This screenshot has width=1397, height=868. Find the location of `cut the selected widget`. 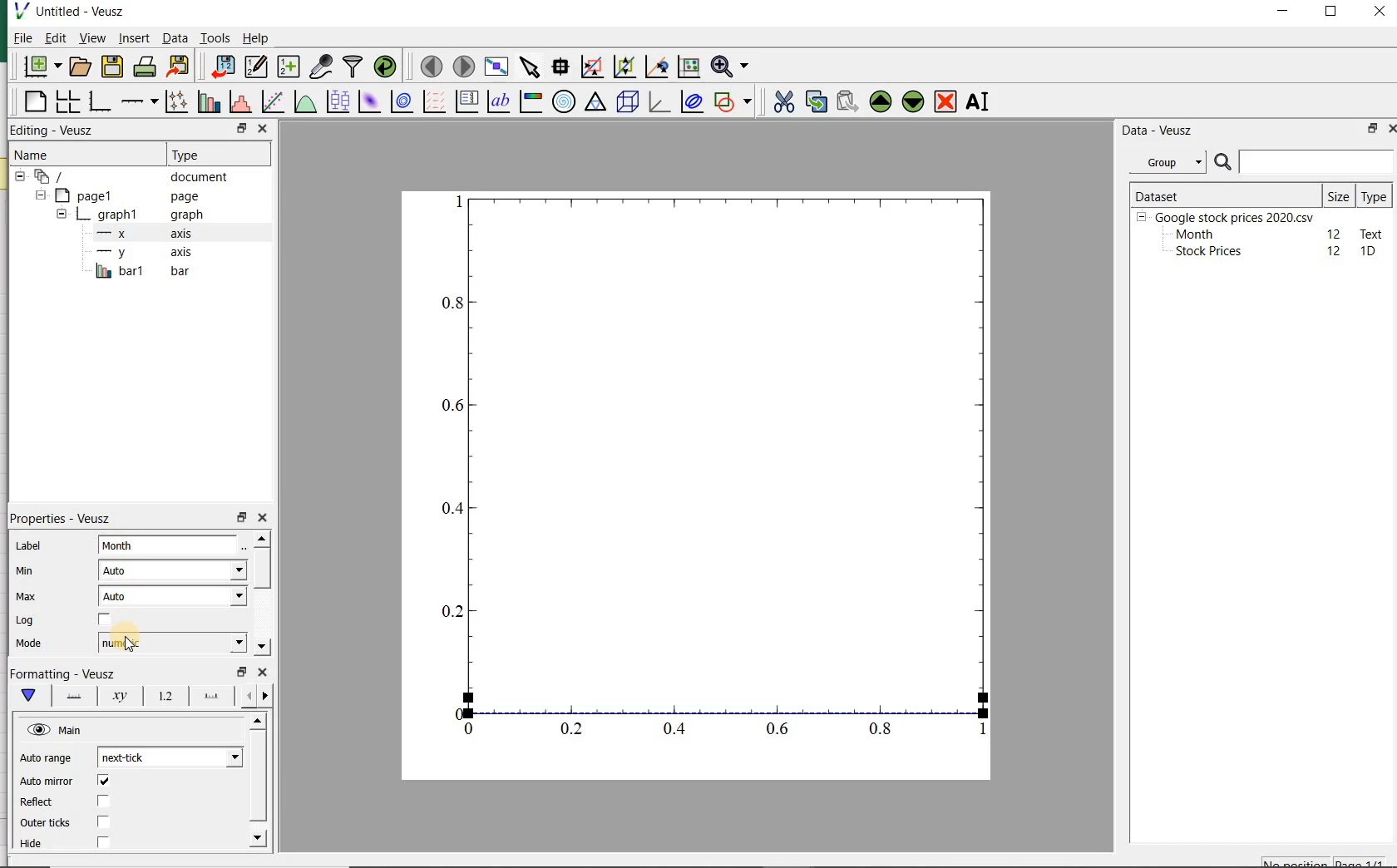

cut the selected widget is located at coordinates (785, 104).